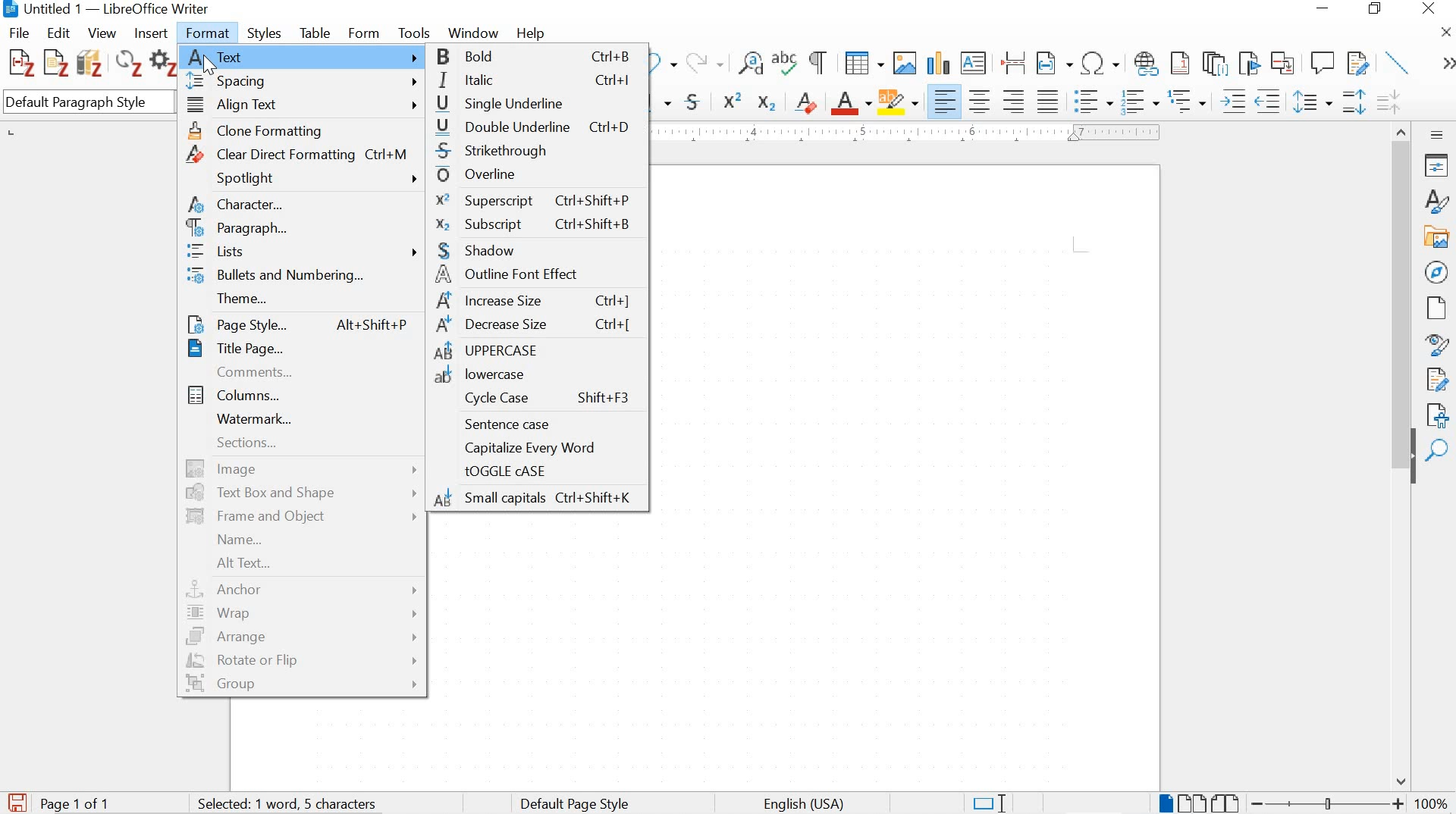  I want to click on comments, so click(297, 372).